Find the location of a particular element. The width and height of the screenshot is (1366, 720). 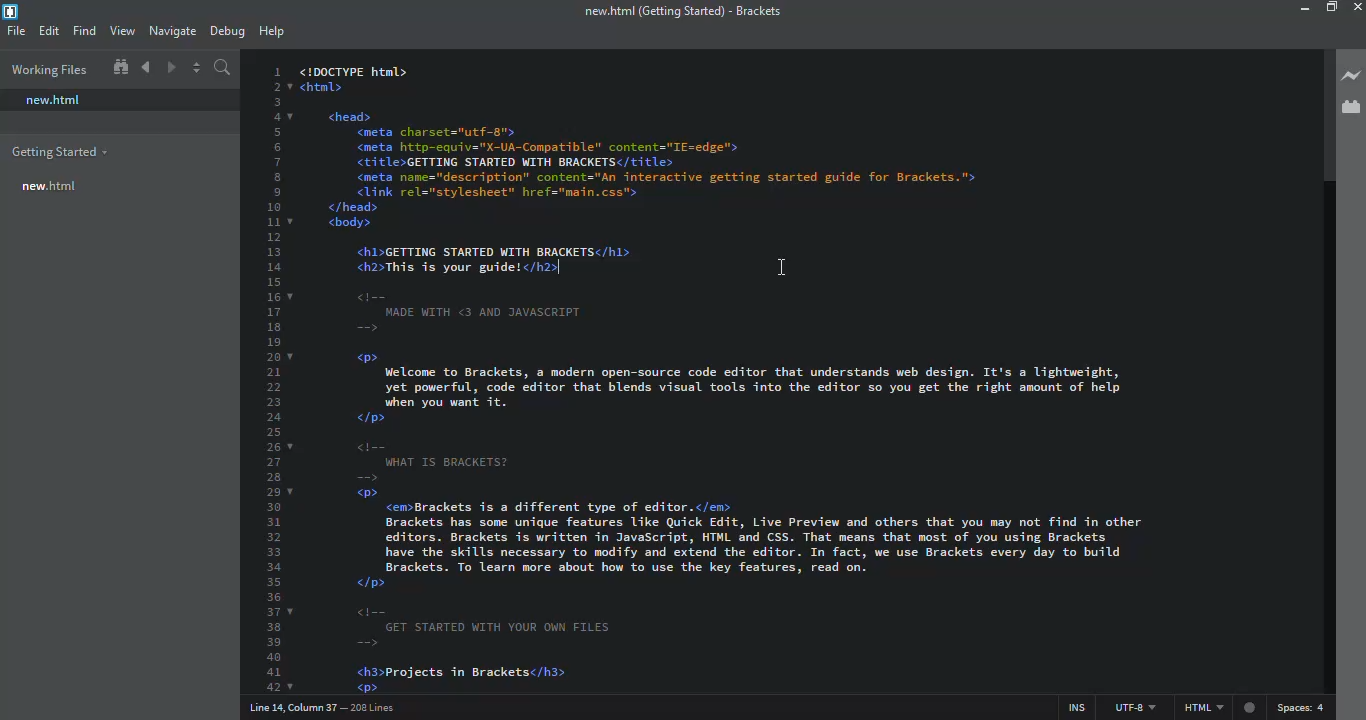

navigate is located at coordinates (176, 31).